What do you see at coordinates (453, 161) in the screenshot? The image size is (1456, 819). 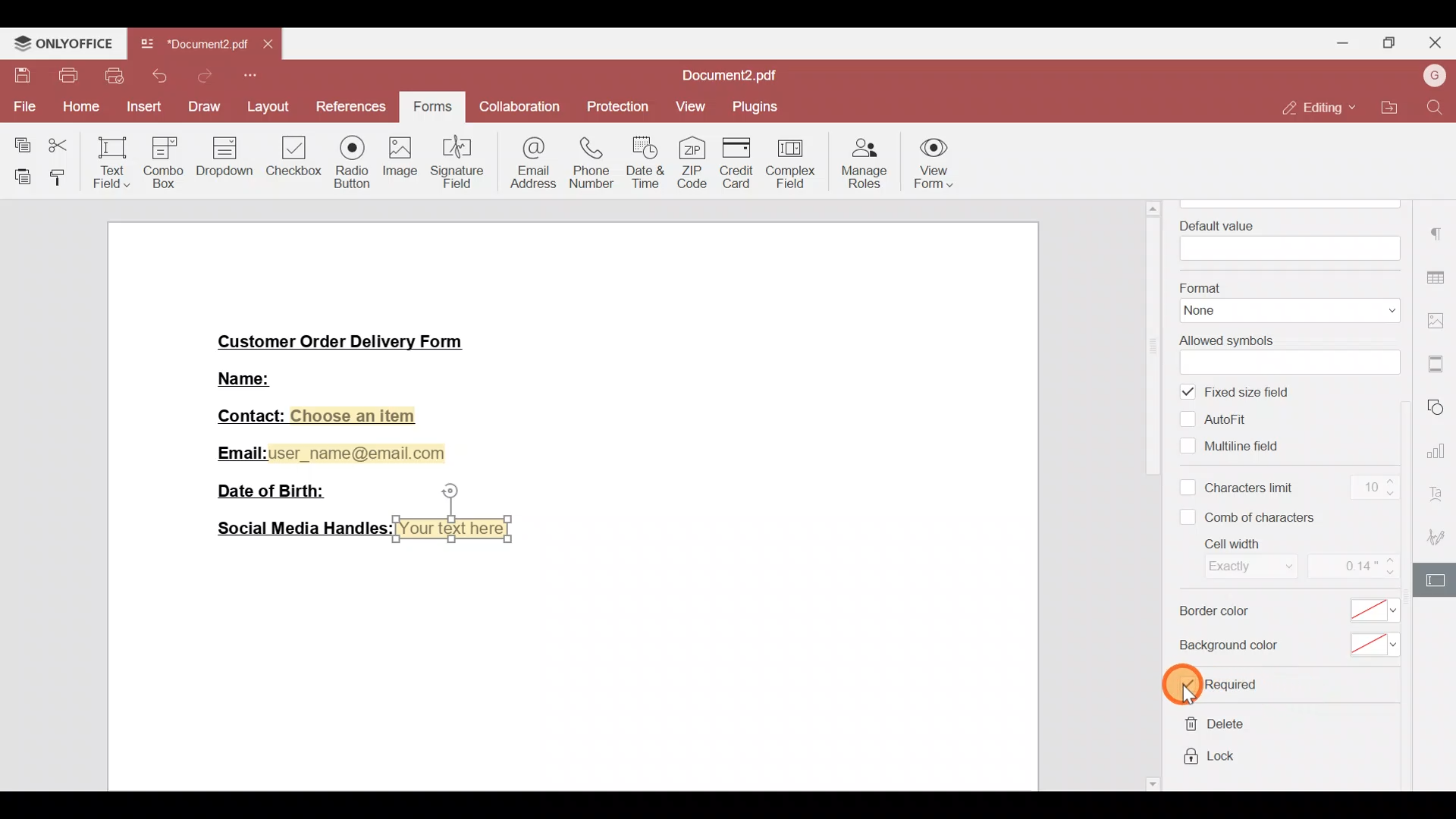 I see `Signature field` at bounding box center [453, 161].